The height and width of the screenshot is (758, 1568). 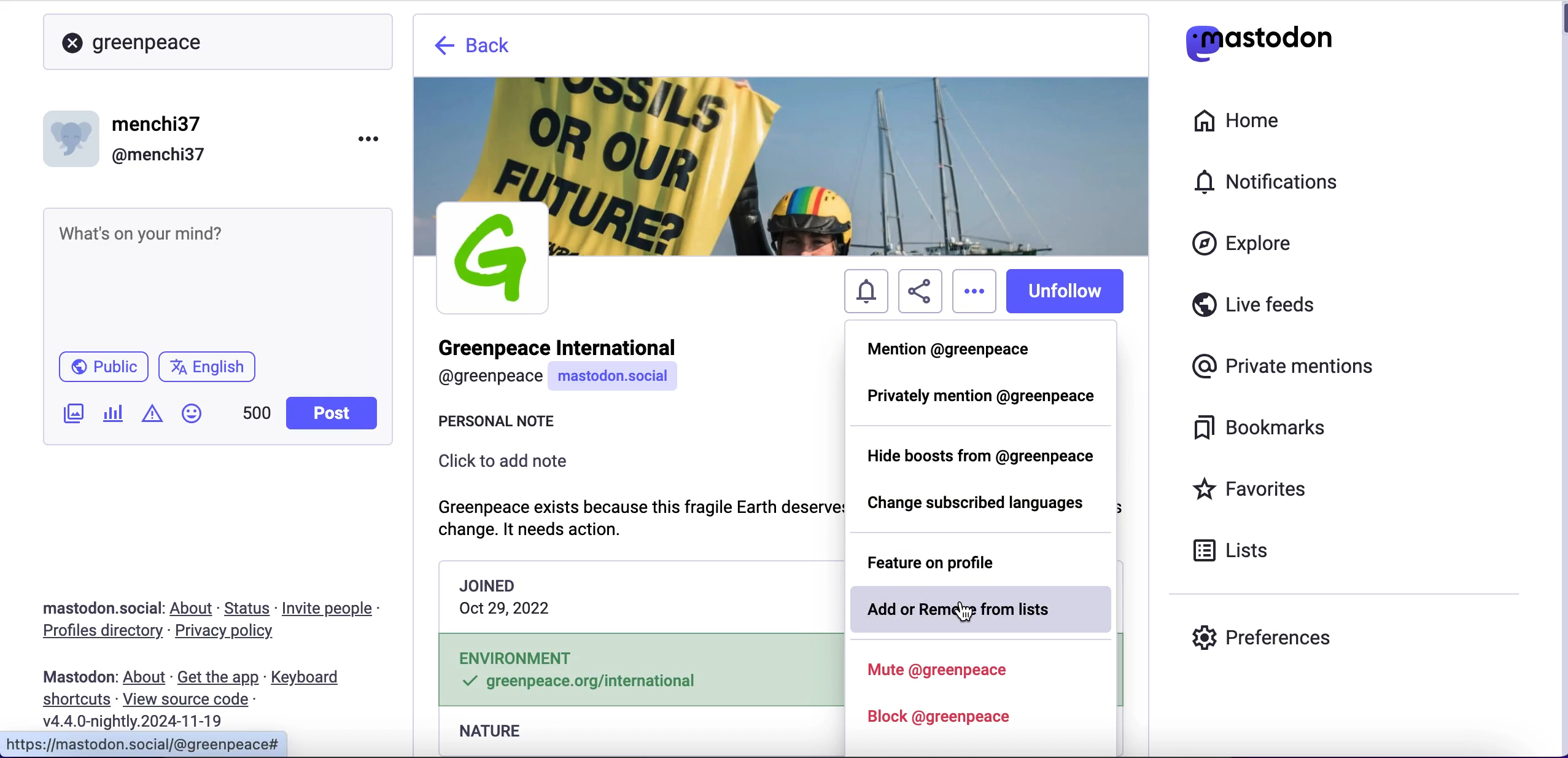 What do you see at coordinates (147, 678) in the screenshot?
I see `about` at bounding box center [147, 678].